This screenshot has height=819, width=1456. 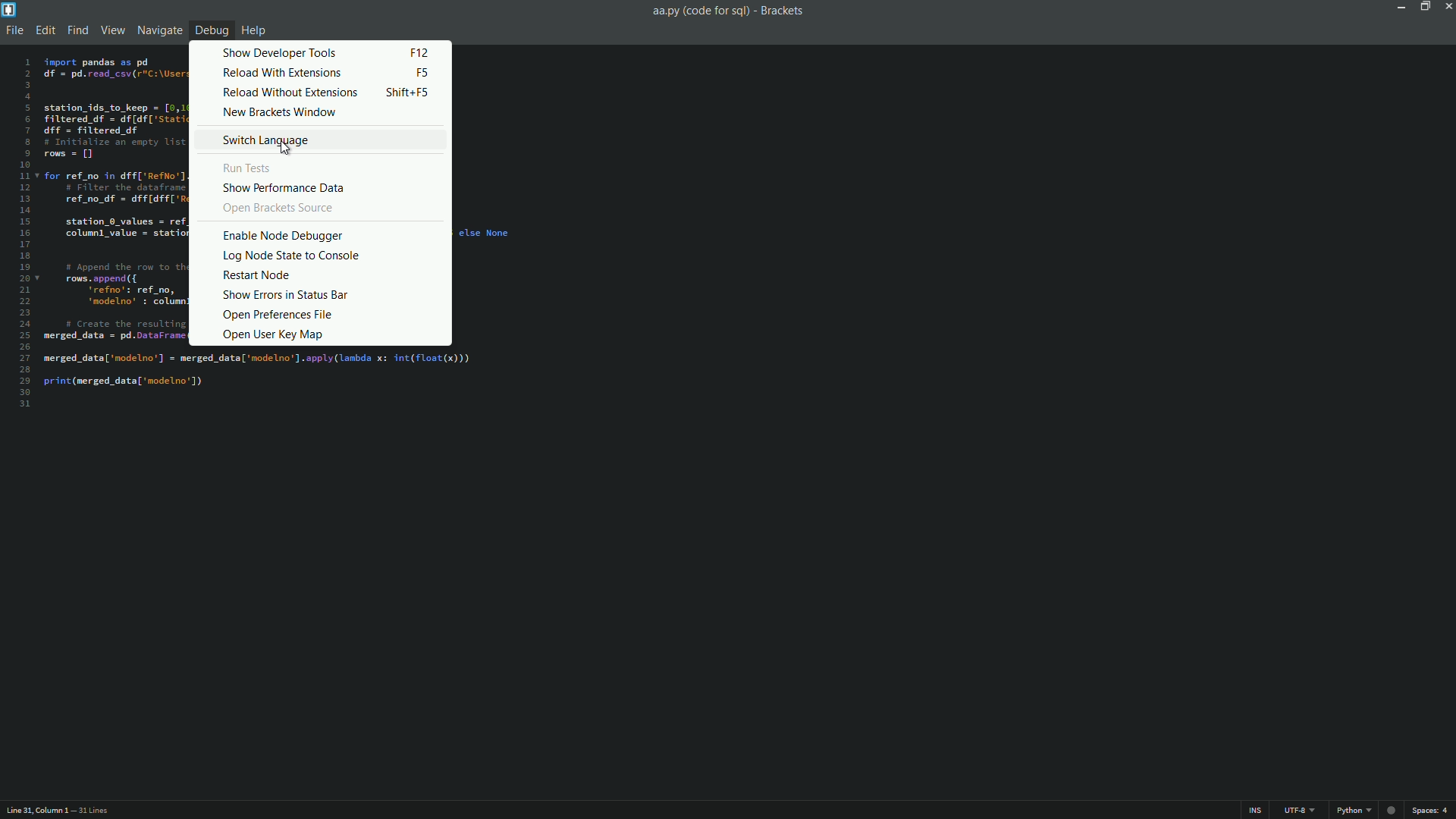 I want to click on keyboard shortcut, so click(x=419, y=53).